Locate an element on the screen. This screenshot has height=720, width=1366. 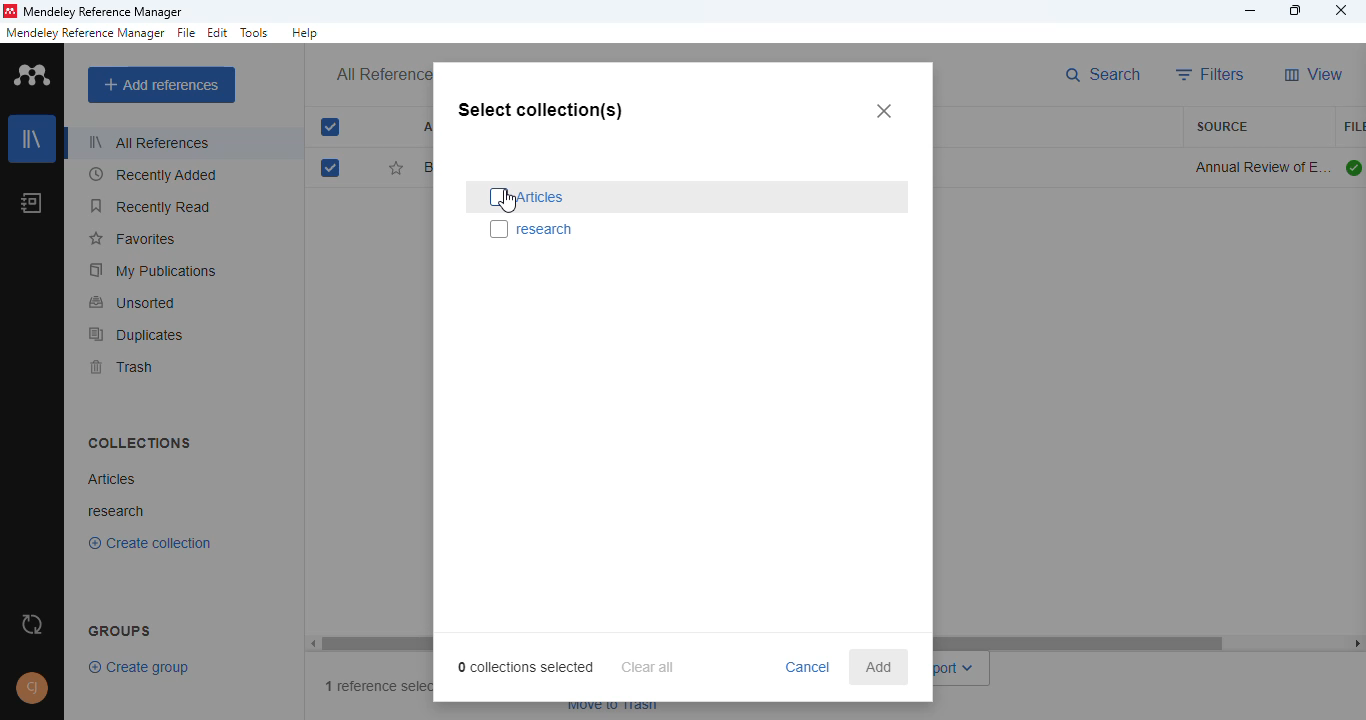
sync is located at coordinates (30, 627).